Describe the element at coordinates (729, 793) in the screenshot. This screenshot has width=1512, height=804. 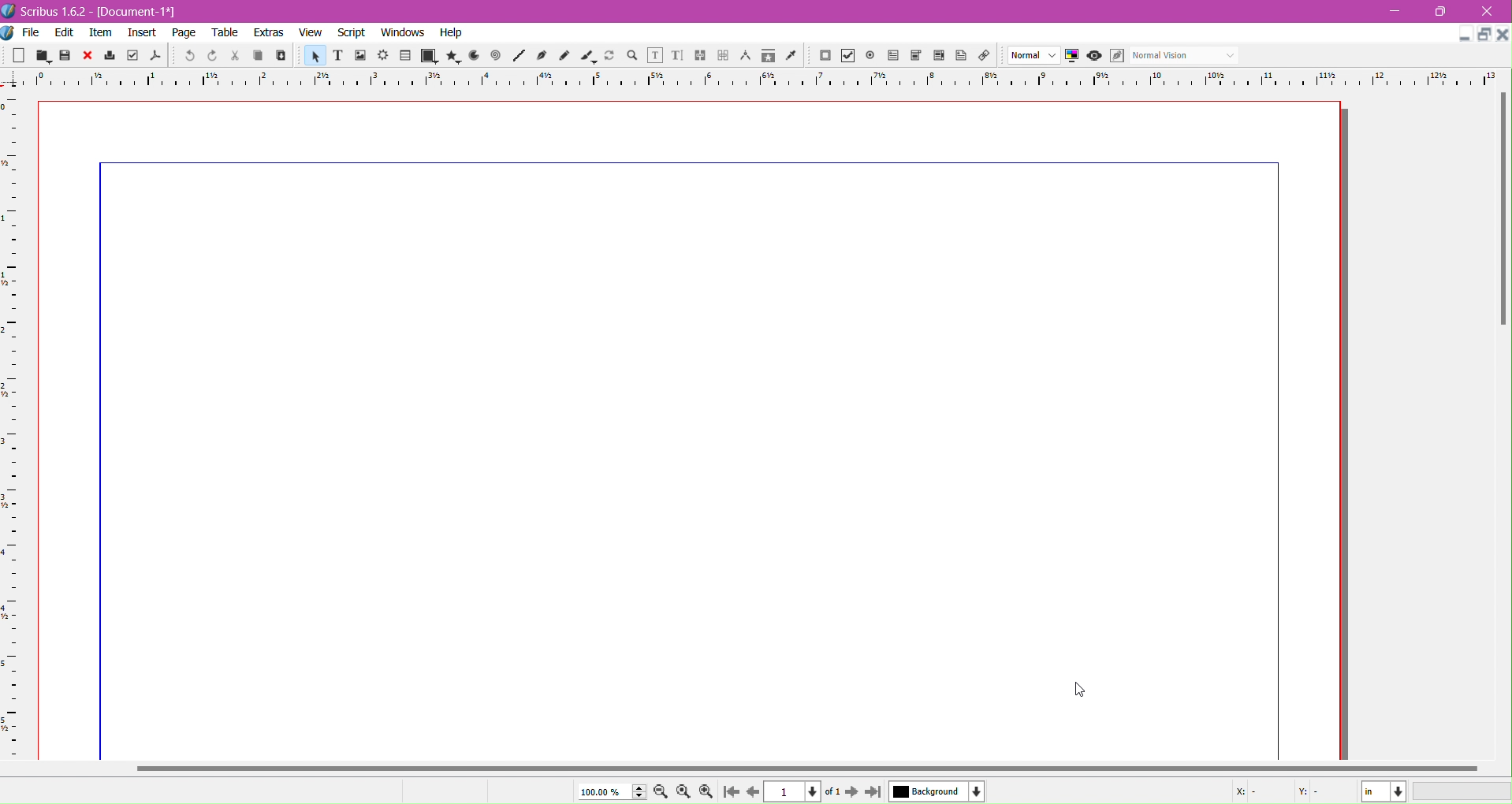
I see `go to start page` at that location.